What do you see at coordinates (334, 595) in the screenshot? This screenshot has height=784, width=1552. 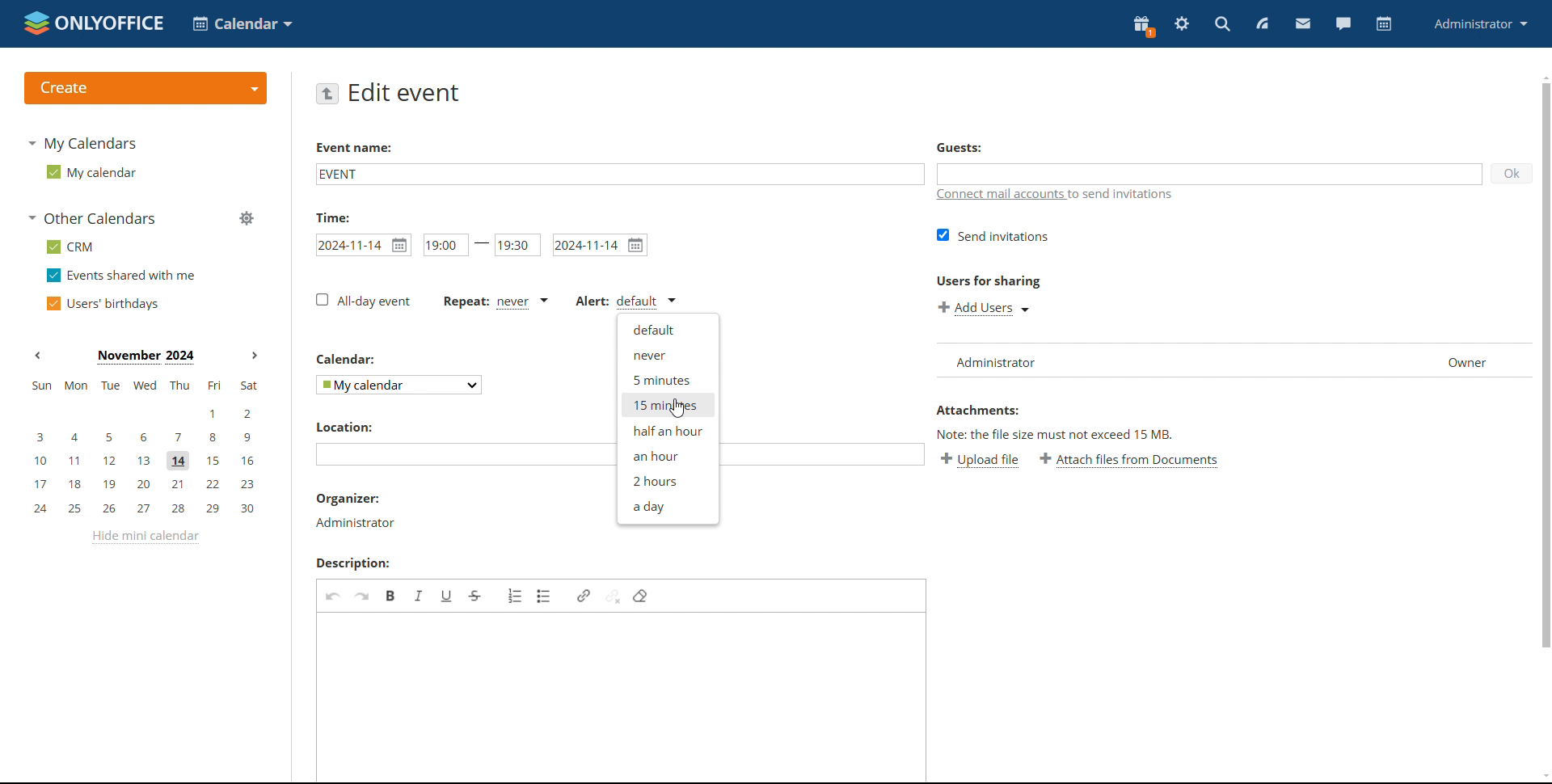 I see `undo` at bounding box center [334, 595].